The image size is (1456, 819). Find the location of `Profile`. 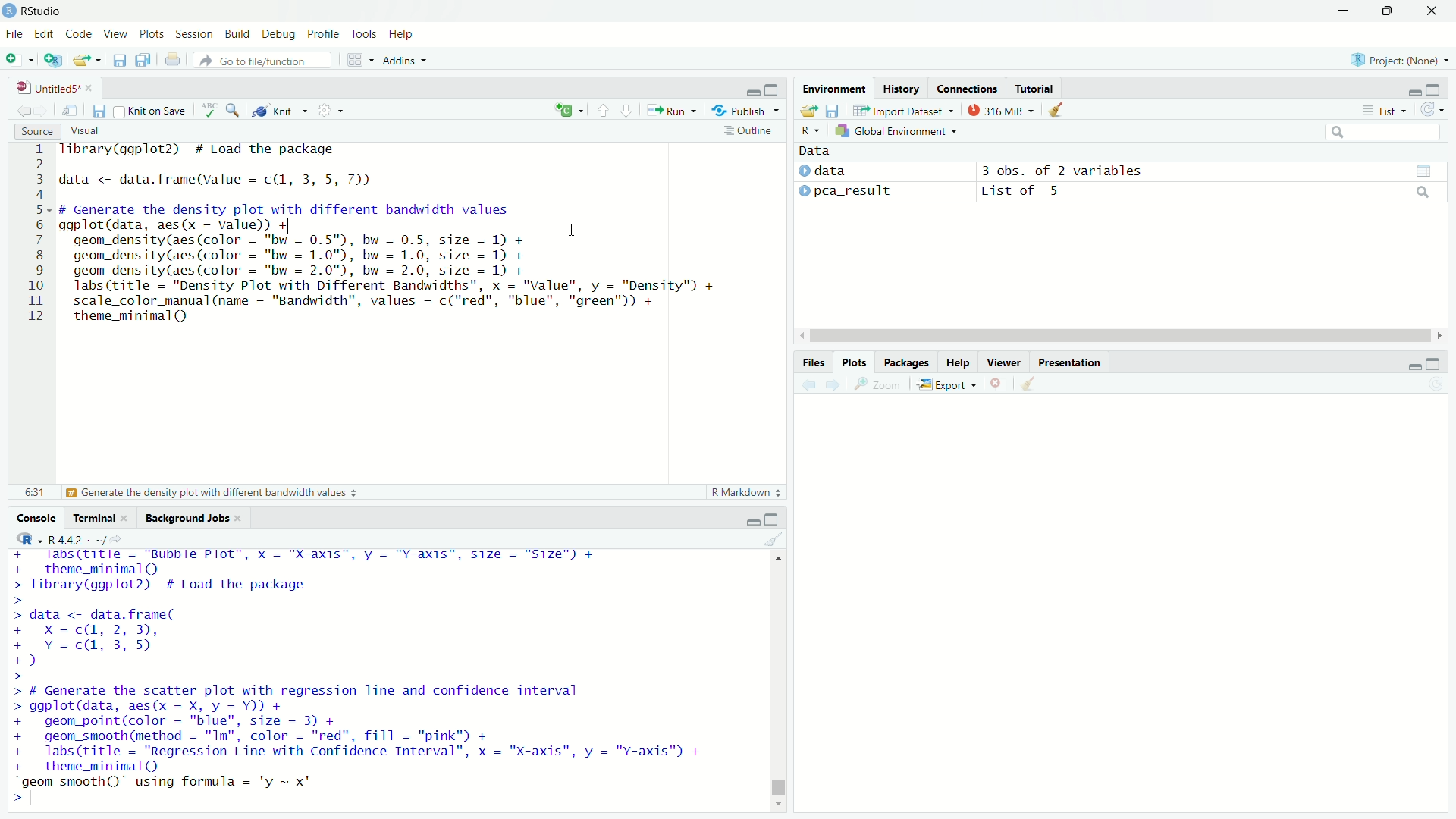

Profile is located at coordinates (323, 33).